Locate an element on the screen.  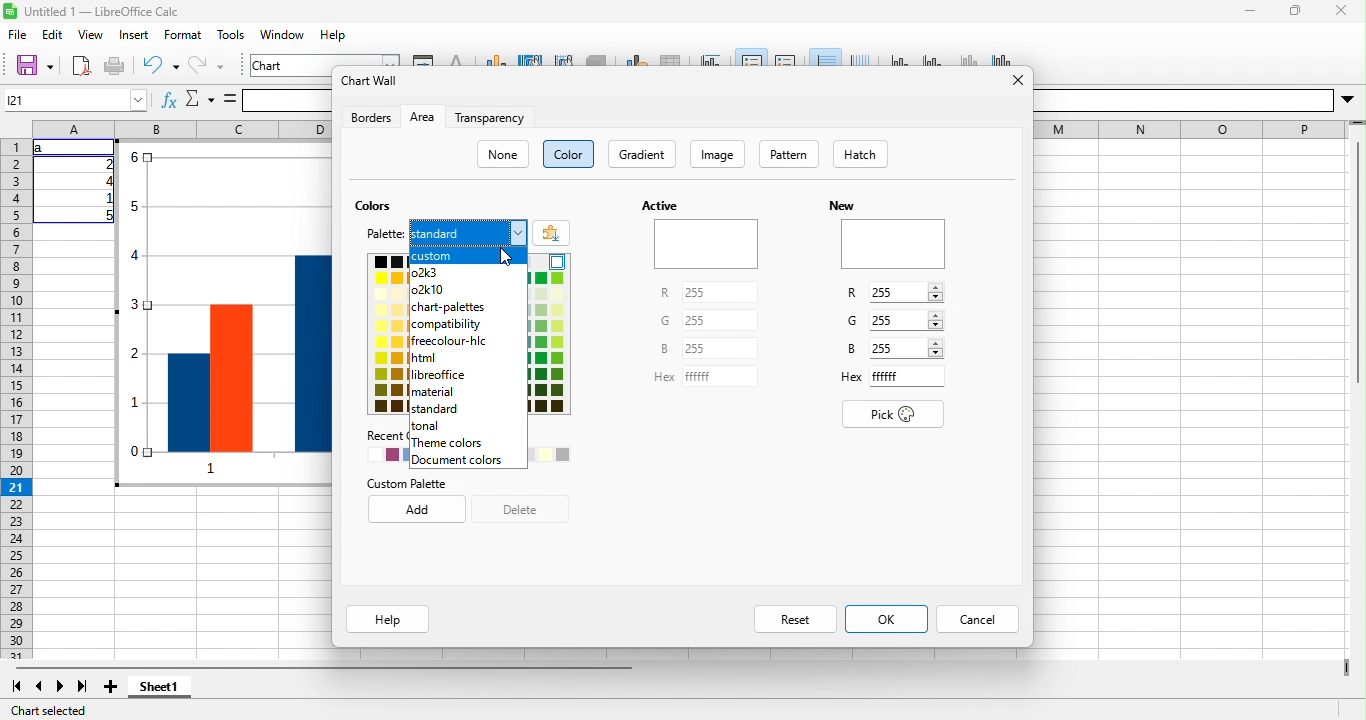
add is located at coordinates (417, 509).